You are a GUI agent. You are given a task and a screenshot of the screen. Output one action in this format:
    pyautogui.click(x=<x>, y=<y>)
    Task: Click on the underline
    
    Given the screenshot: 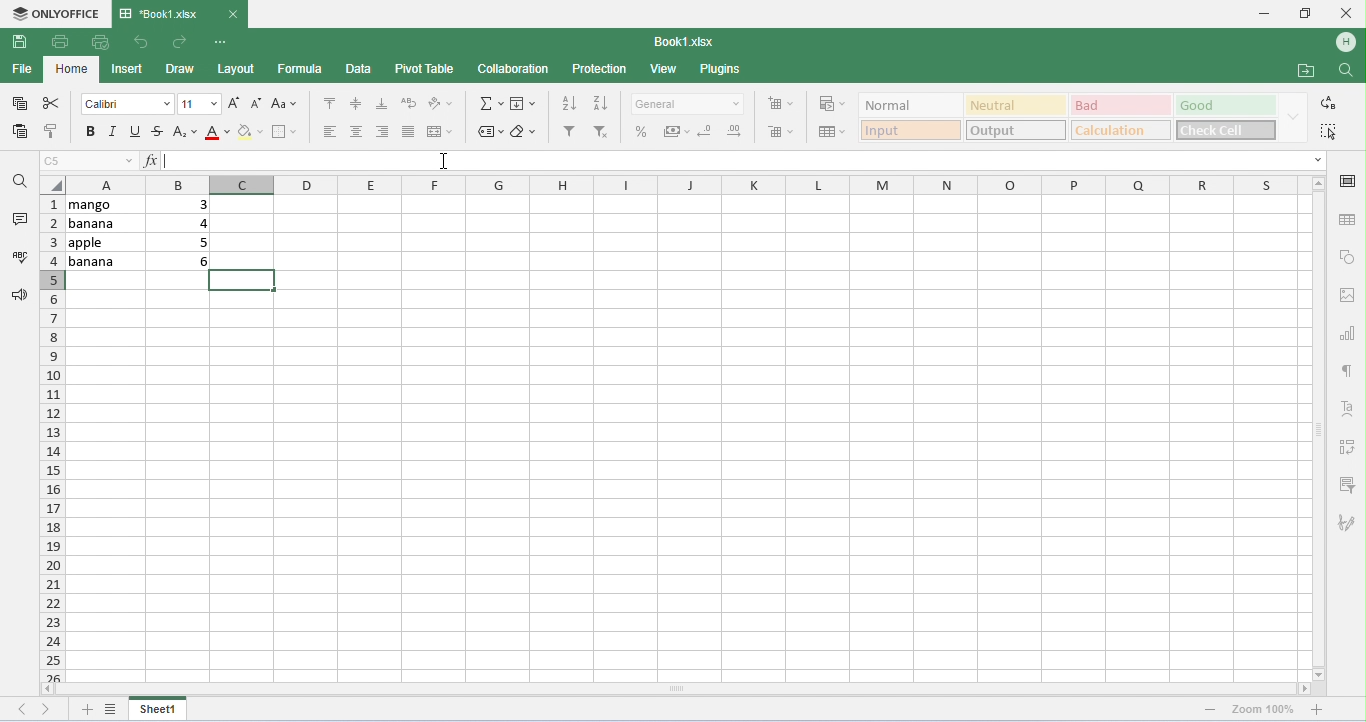 What is the action you would take?
    pyautogui.click(x=133, y=131)
    